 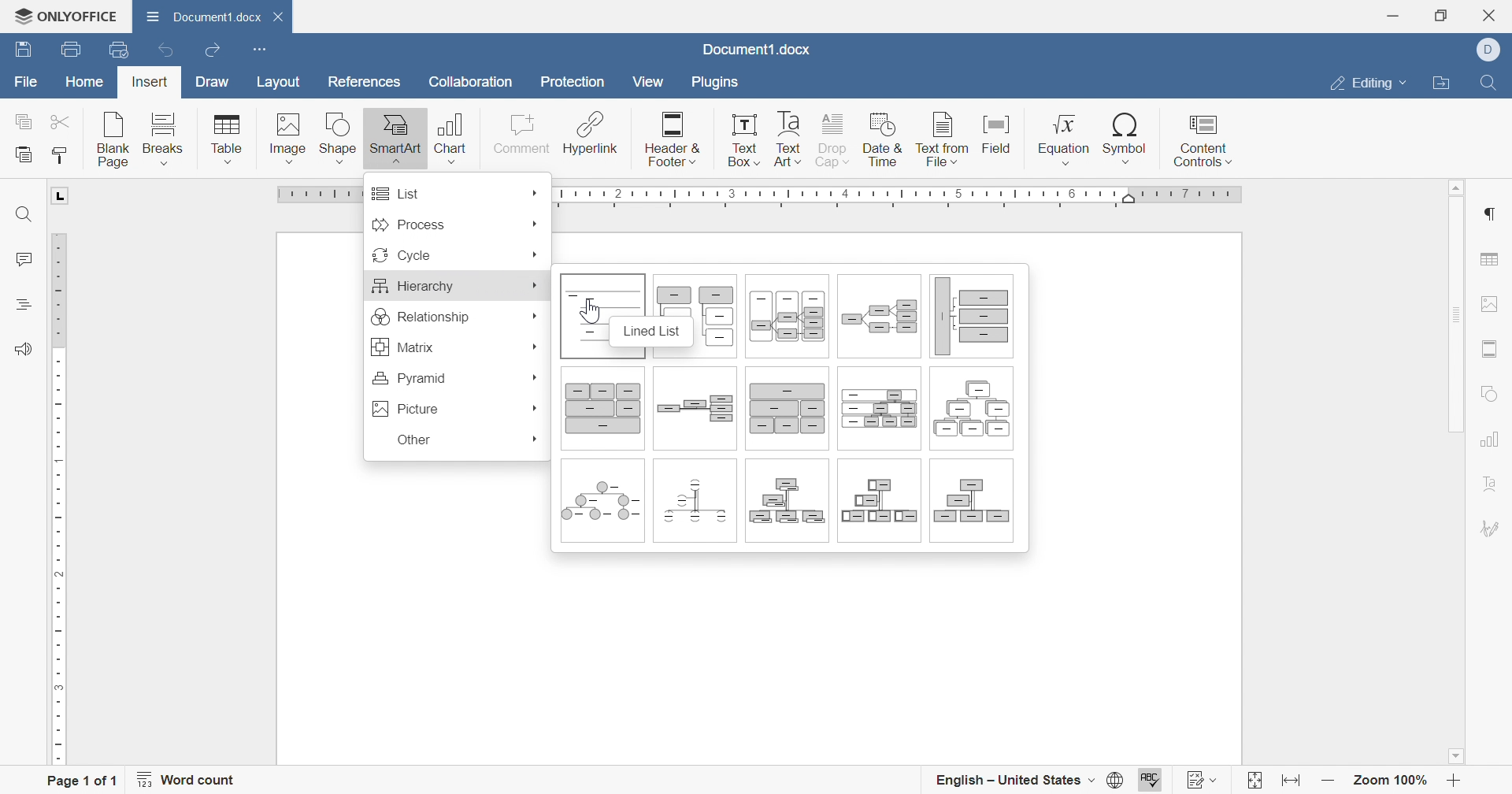 I want to click on Find, so click(x=1492, y=82).